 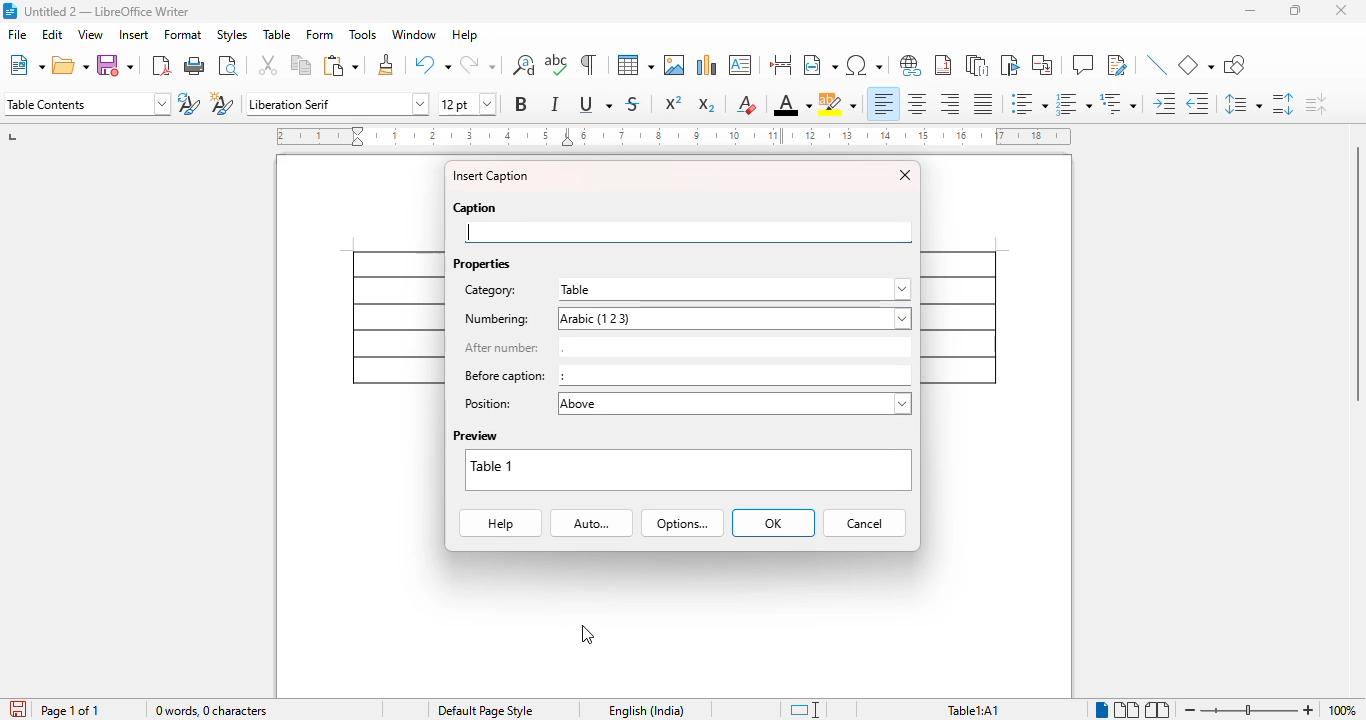 I want to click on clear direct formatting, so click(x=747, y=104).